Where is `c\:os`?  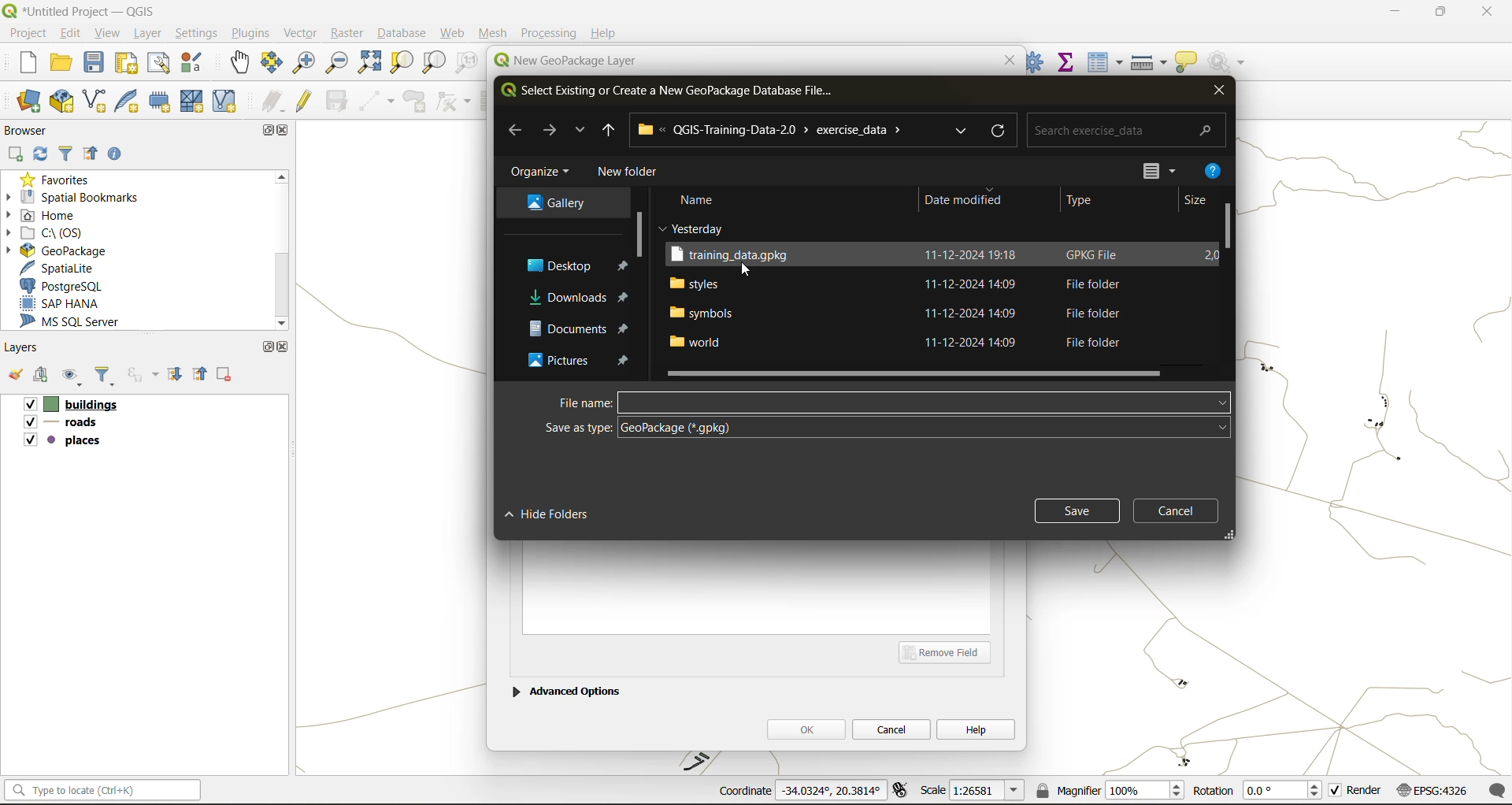
c\:os is located at coordinates (59, 232).